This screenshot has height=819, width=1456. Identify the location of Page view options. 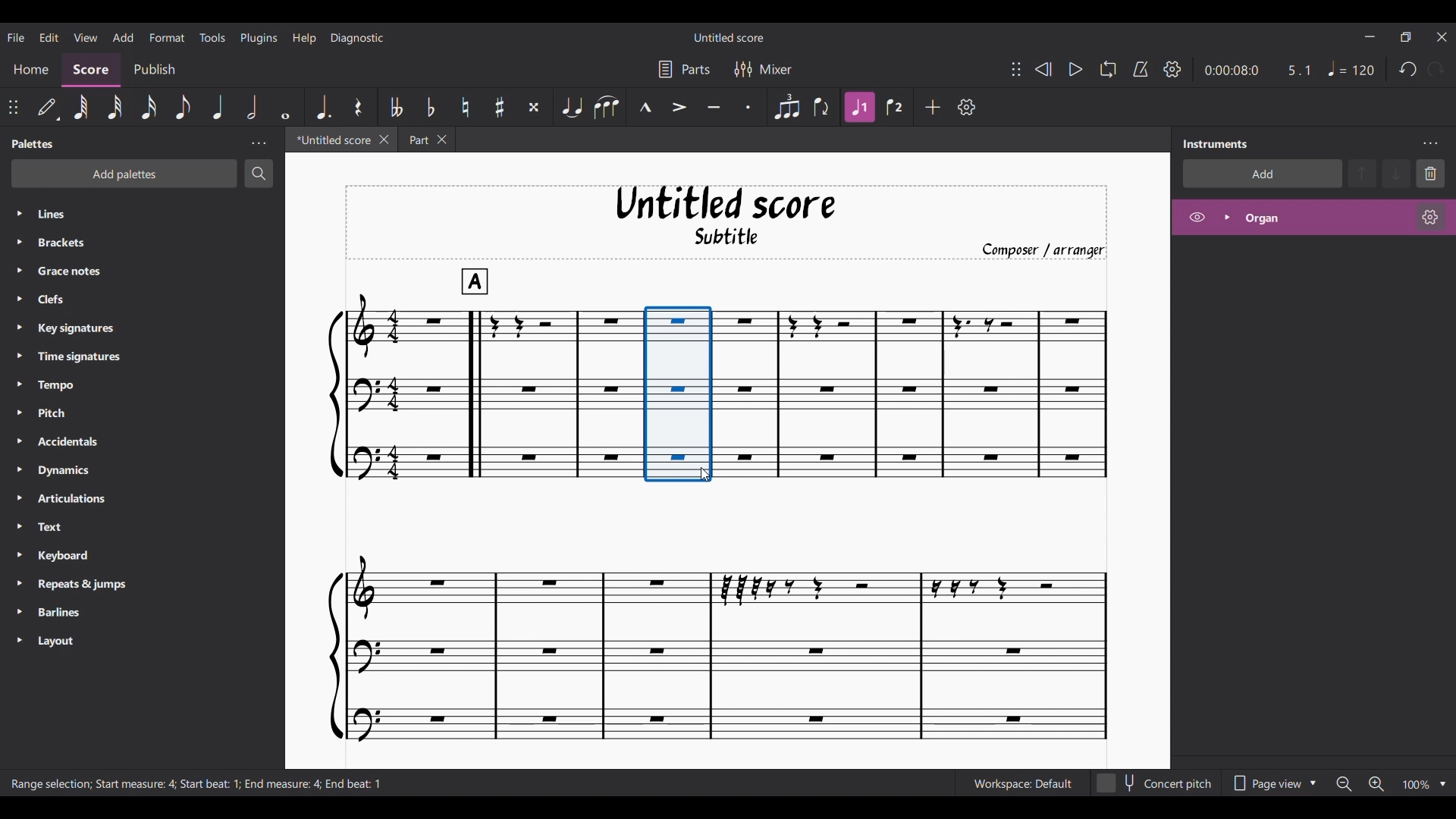
(1272, 783).